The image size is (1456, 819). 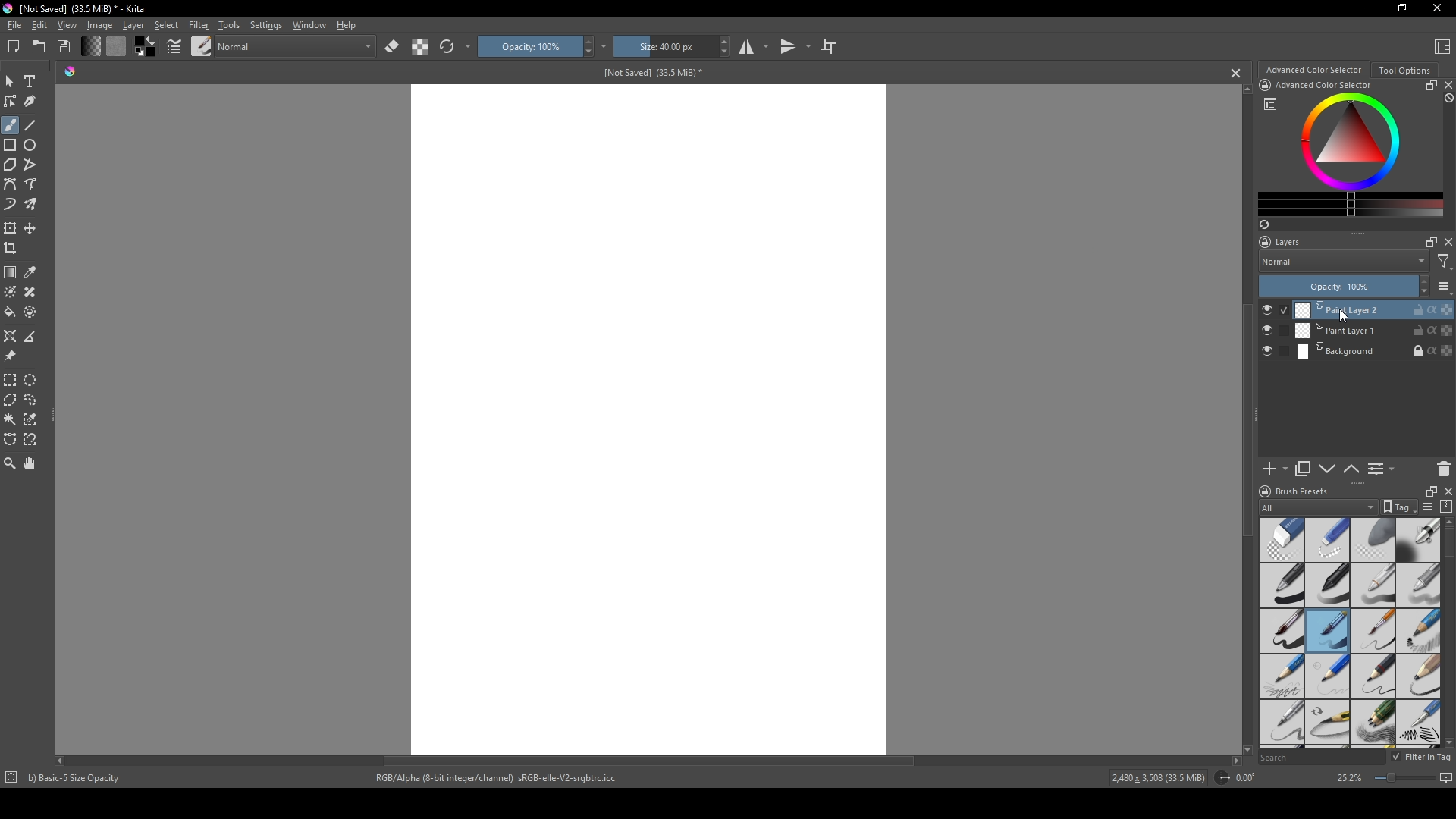 What do you see at coordinates (32, 400) in the screenshot?
I see `lasso` at bounding box center [32, 400].